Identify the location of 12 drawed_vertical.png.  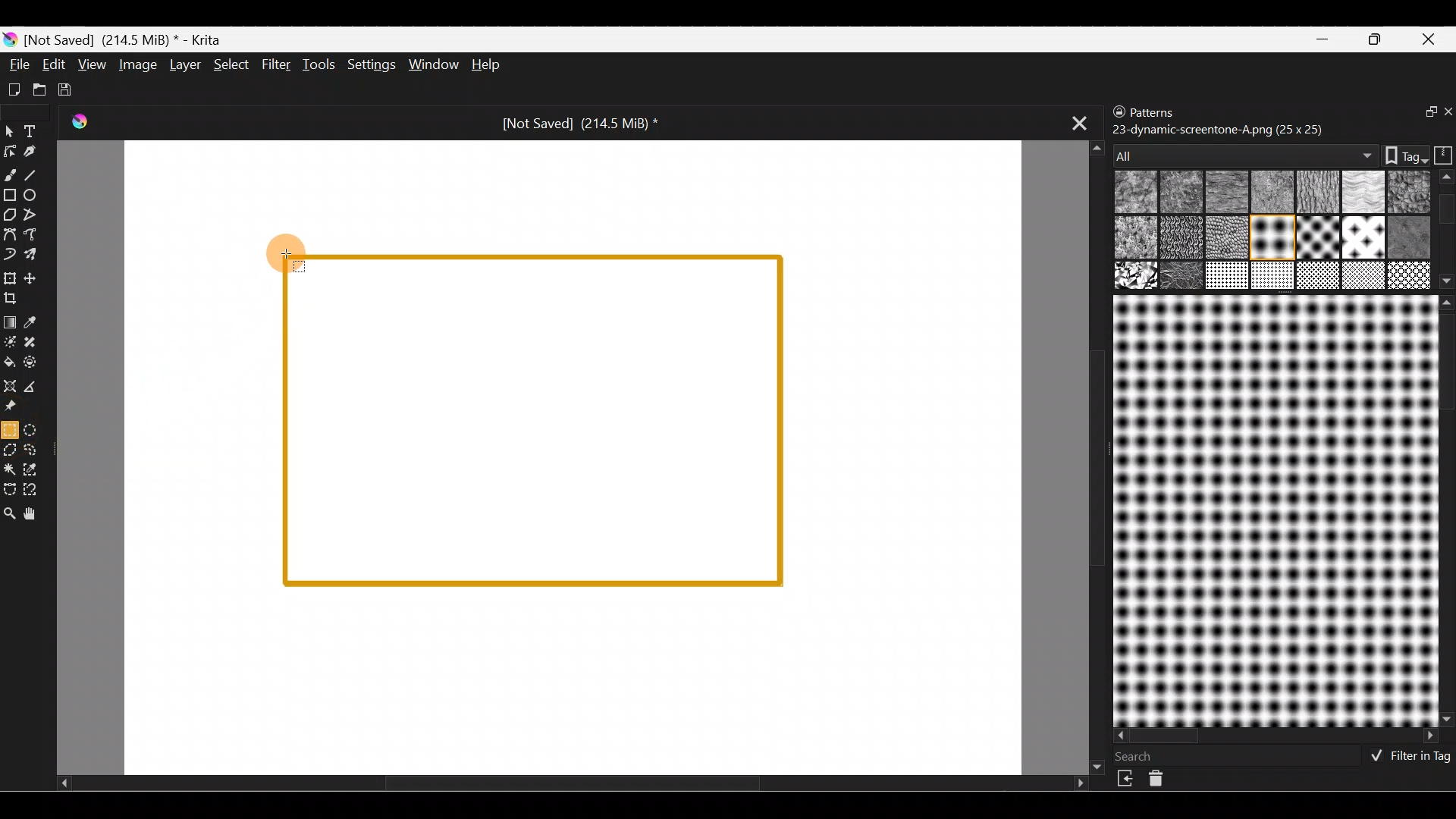
(1361, 236).